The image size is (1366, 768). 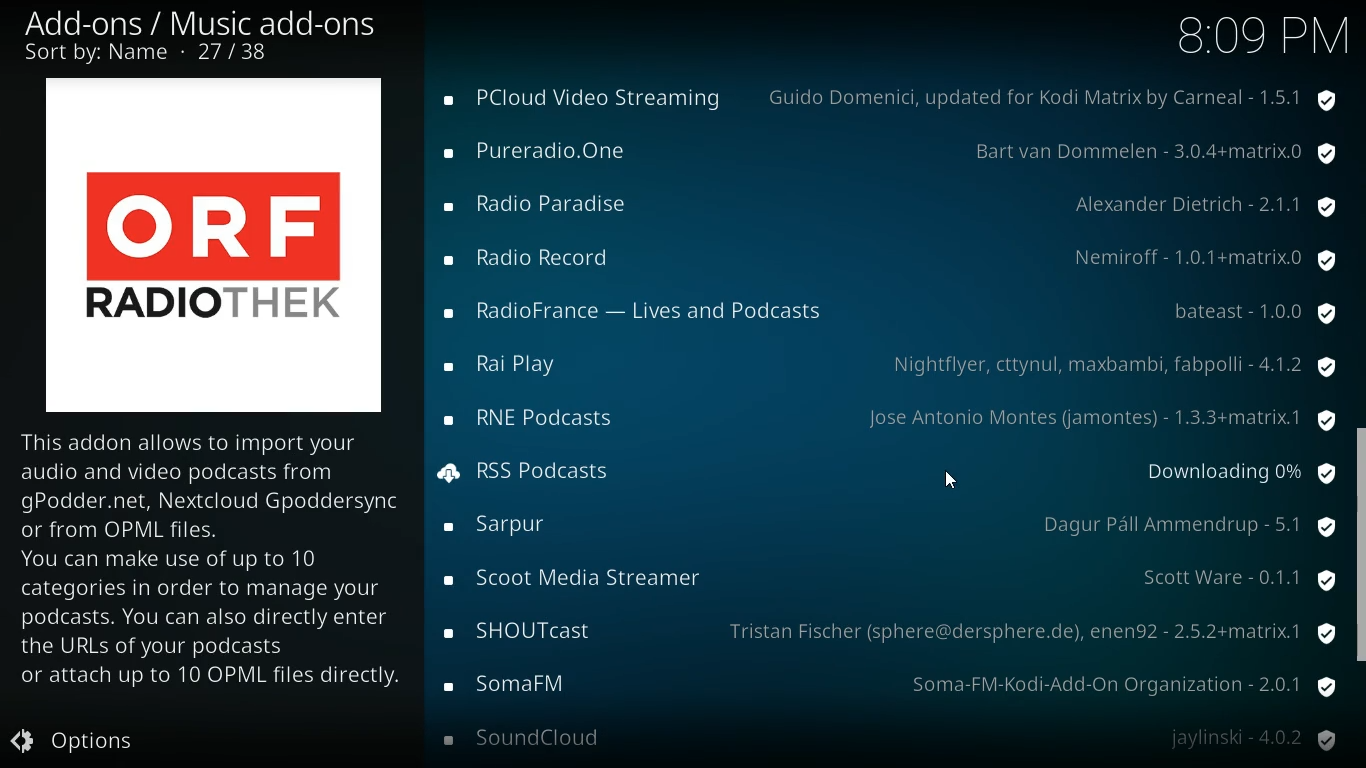 What do you see at coordinates (1210, 257) in the screenshot?
I see `provider` at bounding box center [1210, 257].